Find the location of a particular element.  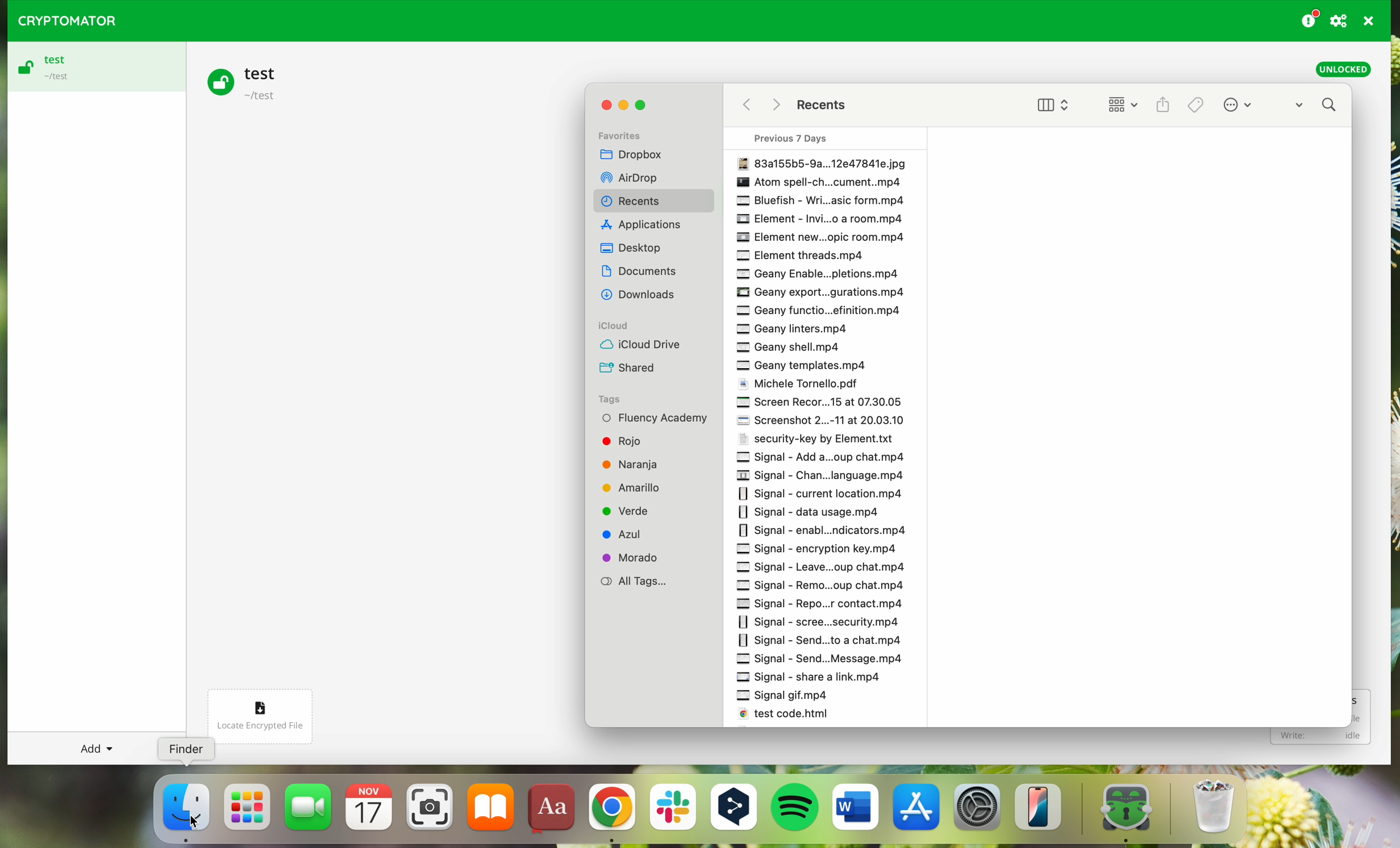

Tags is located at coordinates (1197, 107).